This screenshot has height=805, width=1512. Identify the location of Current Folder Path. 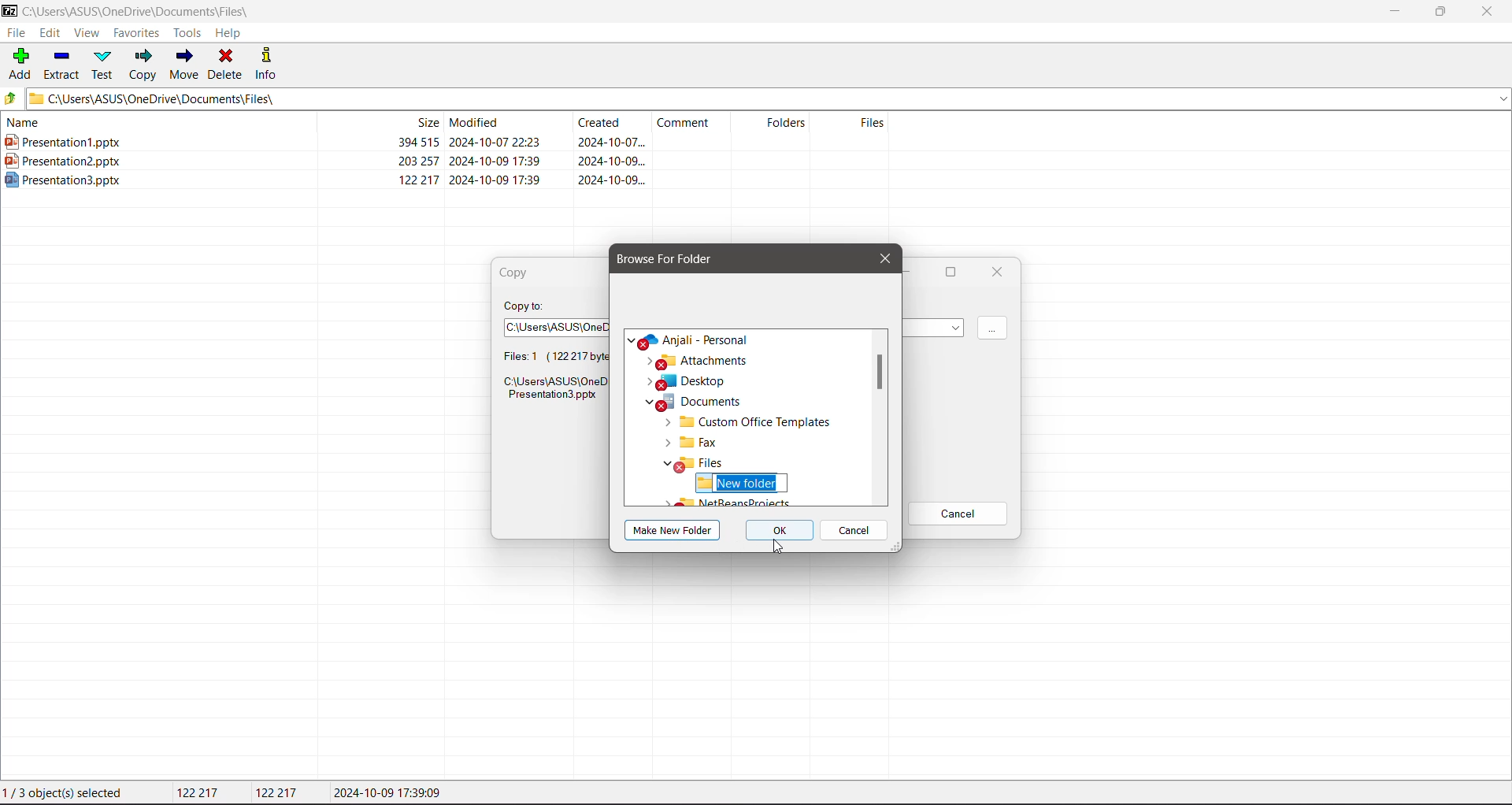
(770, 98).